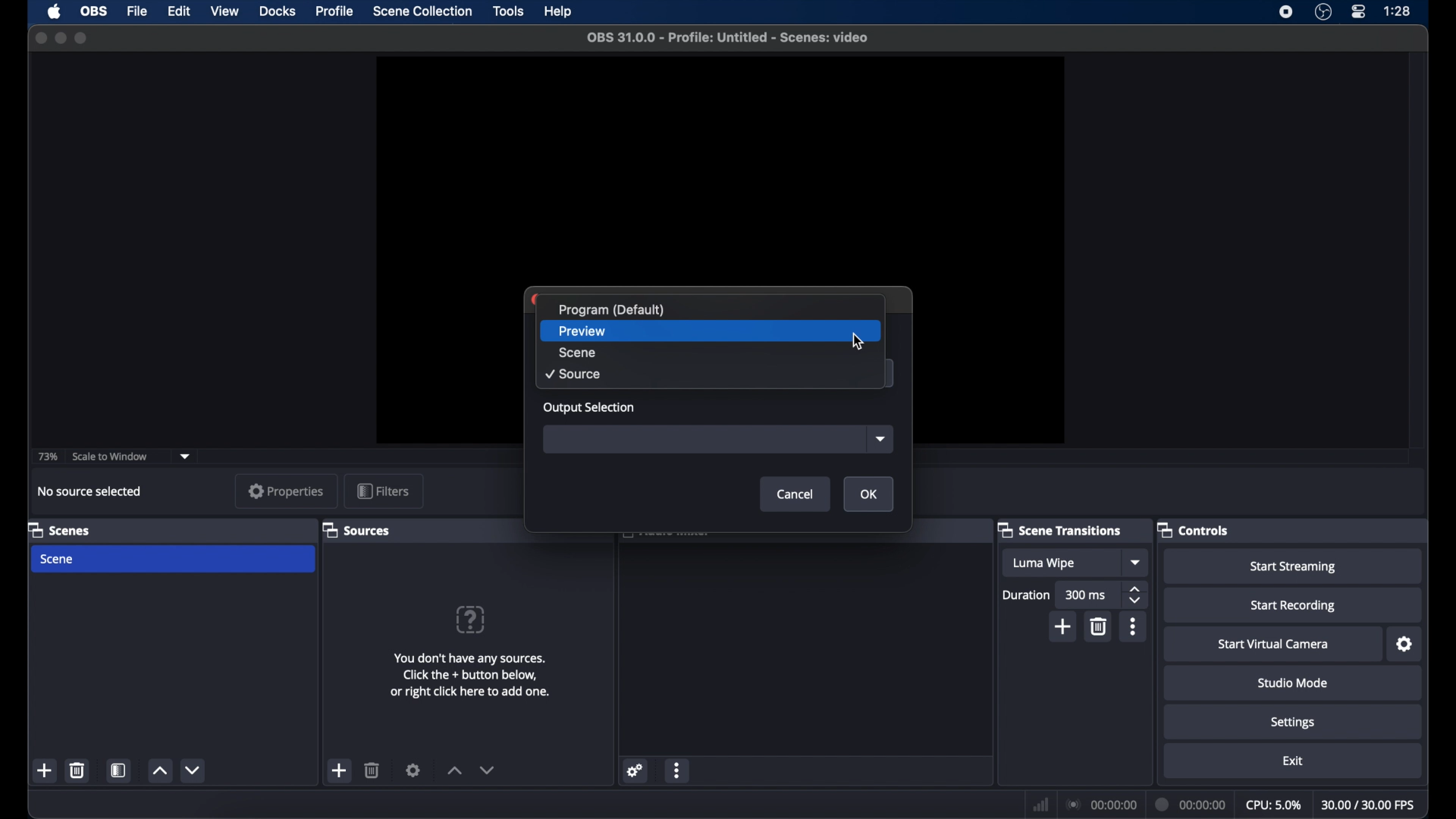 This screenshot has width=1456, height=819. I want to click on screen recorder icon, so click(1287, 12).